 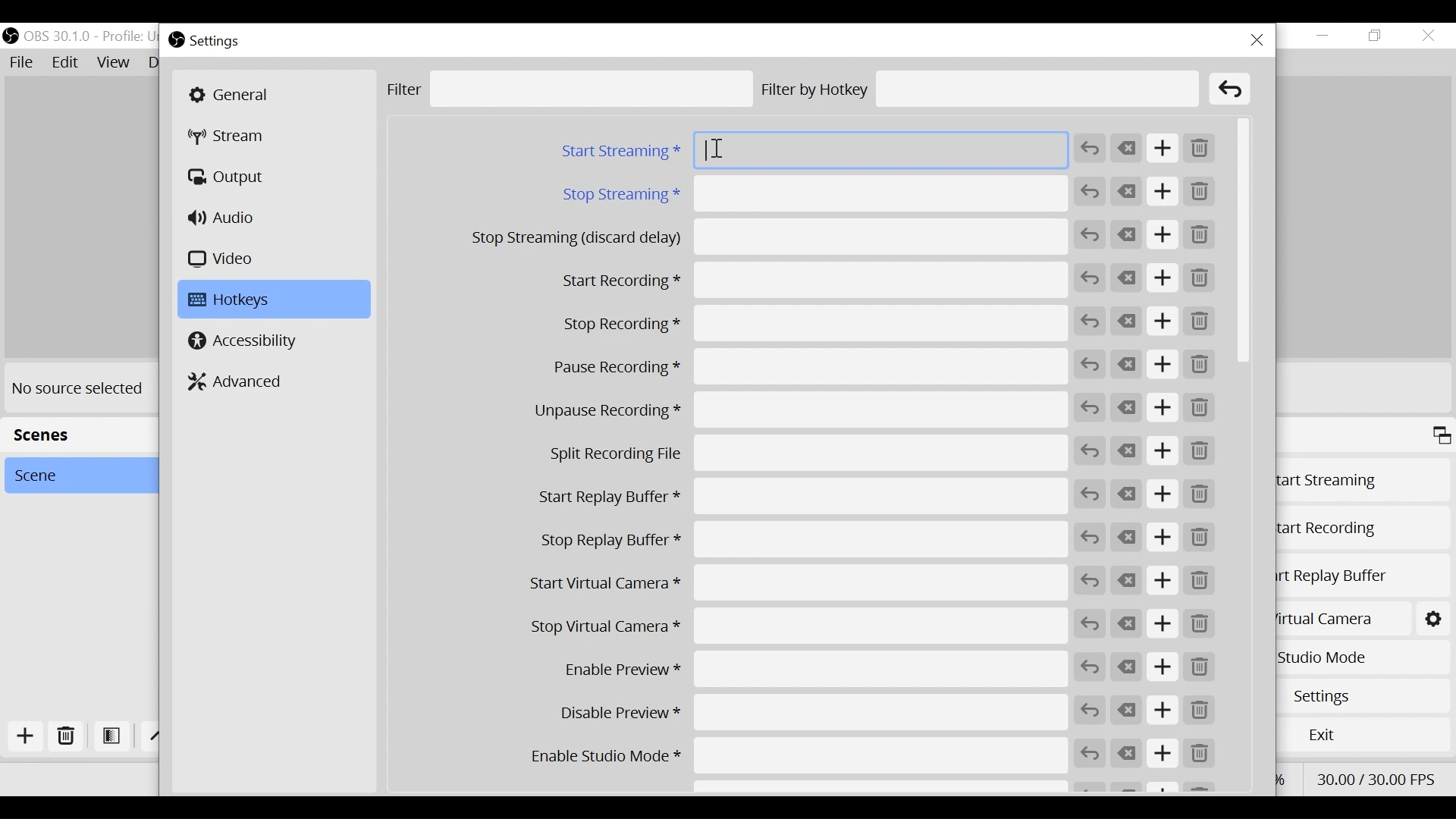 What do you see at coordinates (980, 89) in the screenshot?
I see `Filter by Hotkey` at bounding box center [980, 89].